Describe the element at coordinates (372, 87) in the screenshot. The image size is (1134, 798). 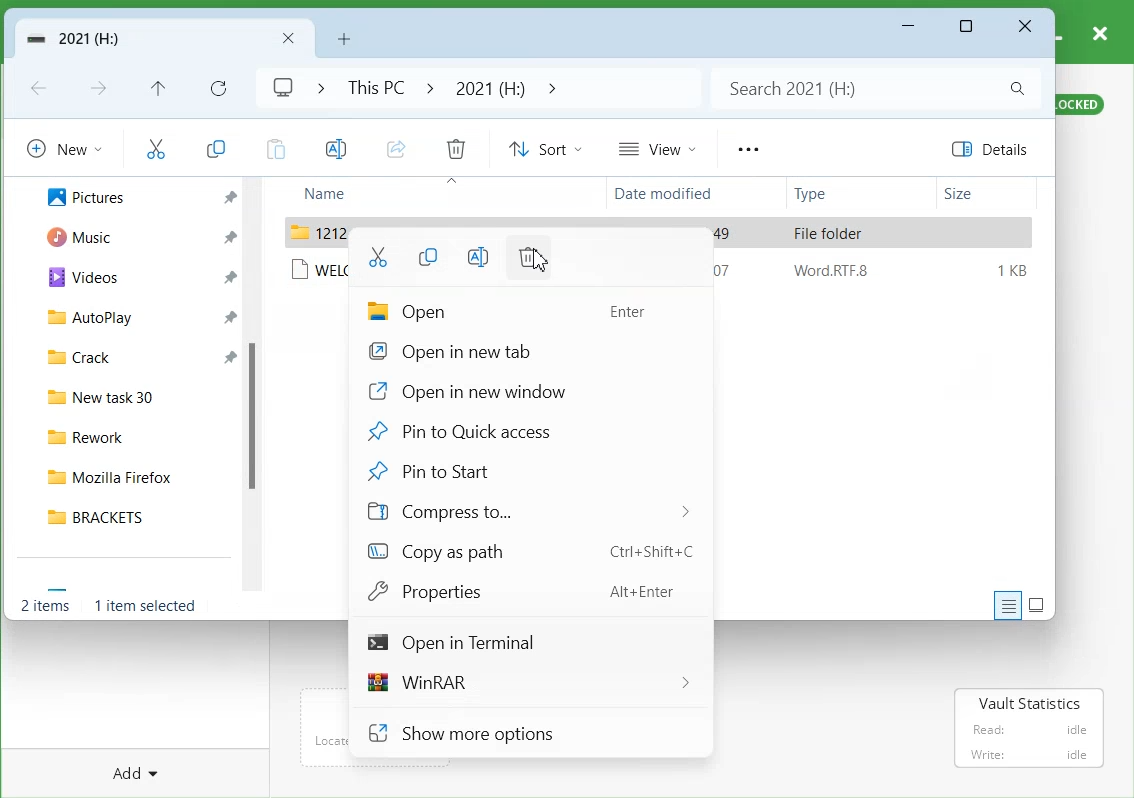
I see `This PC` at that location.